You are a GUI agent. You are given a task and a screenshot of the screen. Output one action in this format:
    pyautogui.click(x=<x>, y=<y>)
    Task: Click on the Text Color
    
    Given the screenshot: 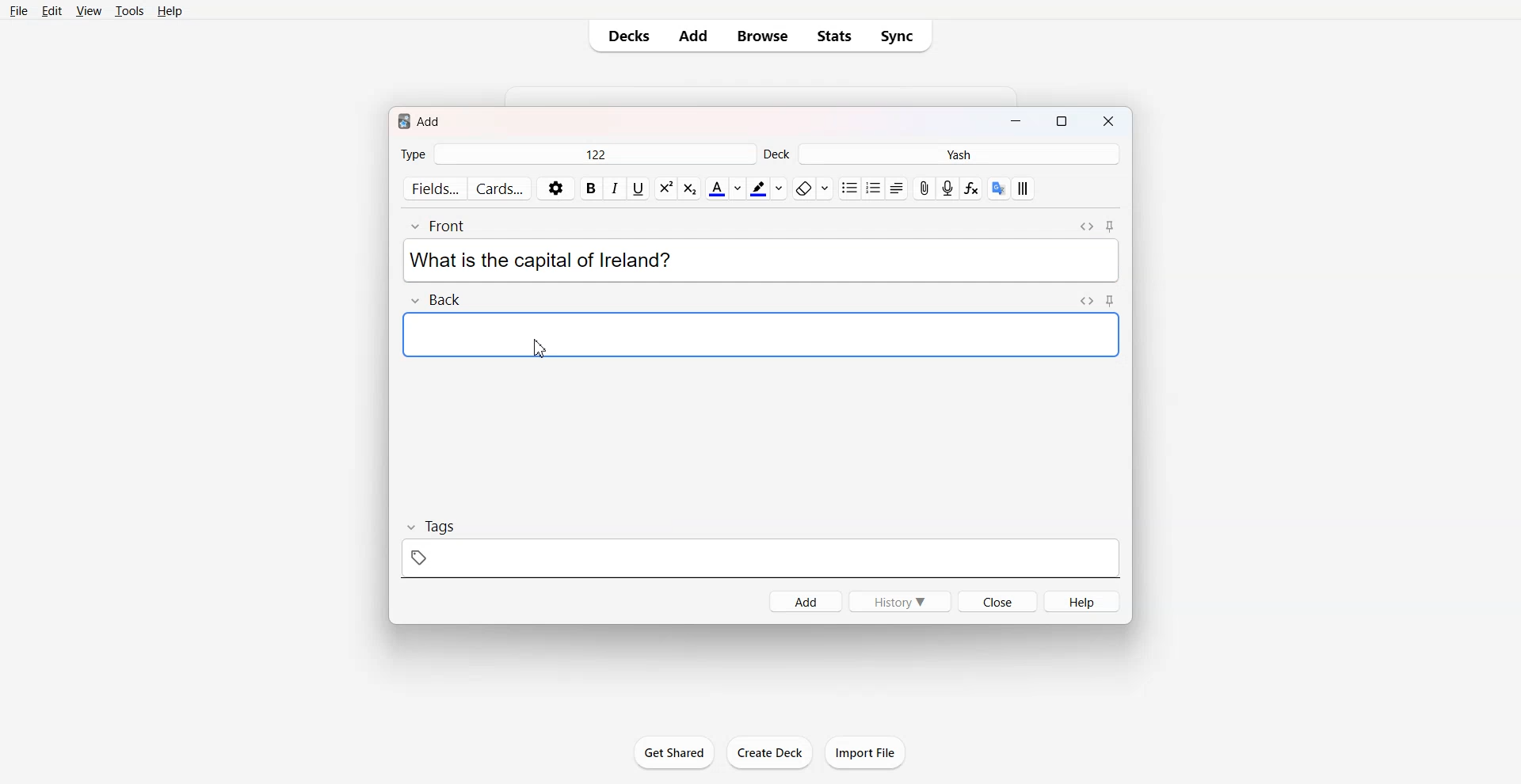 What is the action you would take?
    pyautogui.click(x=725, y=188)
    